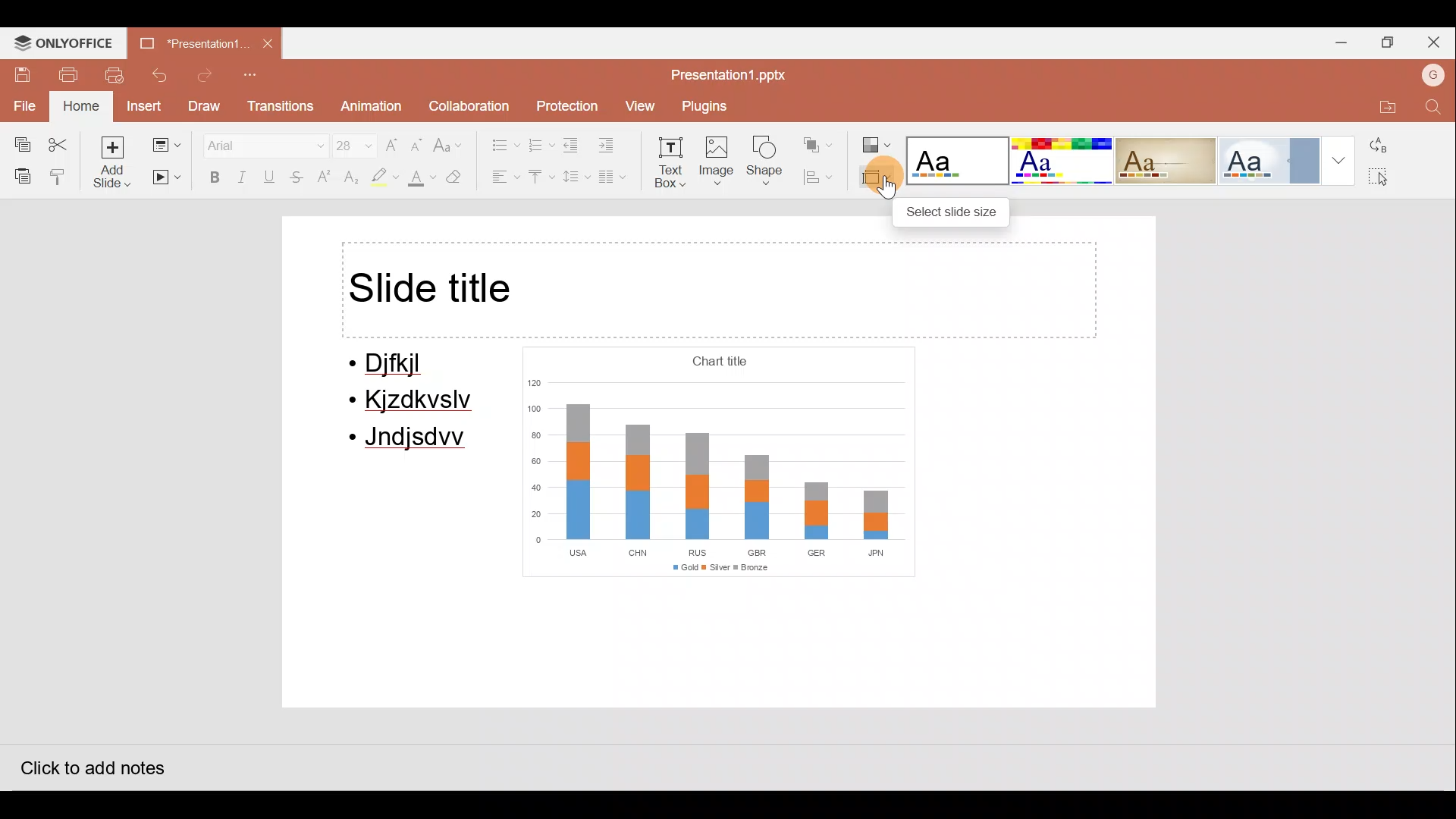 This screenshot has width=1456, height=819. Describe the element at coordinates (820, 140) in the screenshot. I see `Arrange shape` at that location.